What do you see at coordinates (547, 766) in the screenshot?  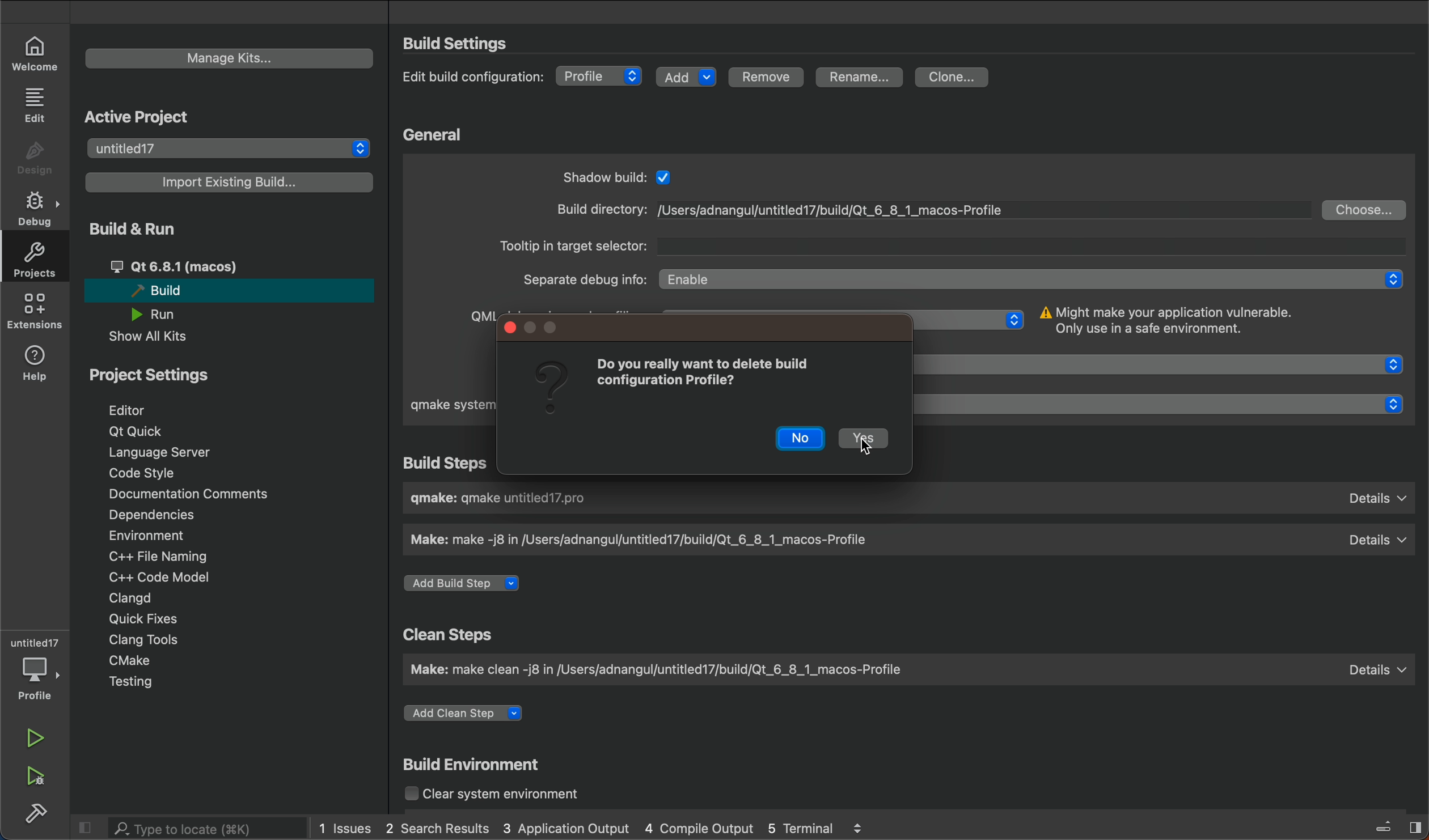 I see `build environment ` at bounding box center [547, 766].